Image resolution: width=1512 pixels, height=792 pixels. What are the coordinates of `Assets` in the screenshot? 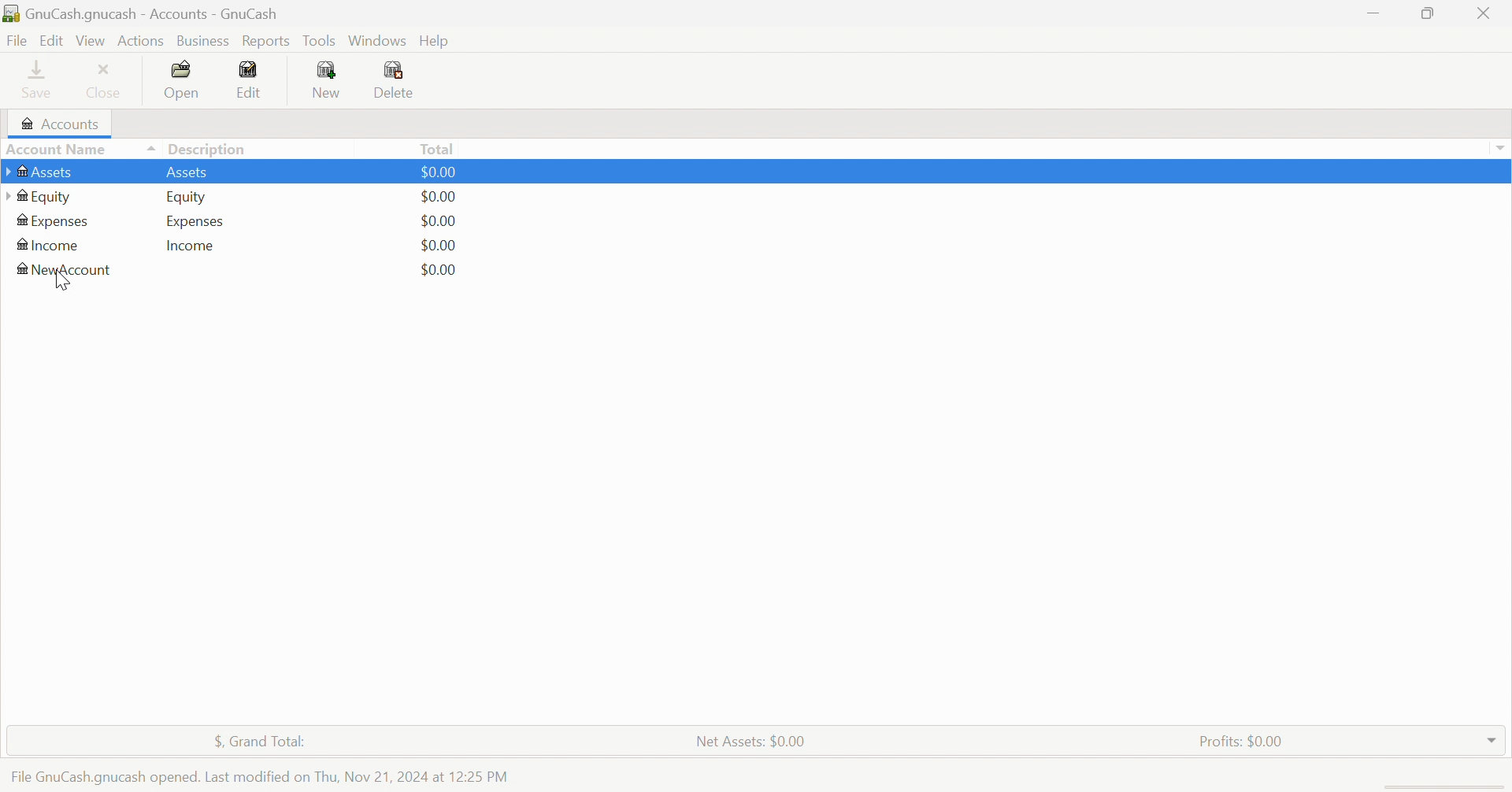 It's located at (46, 170).